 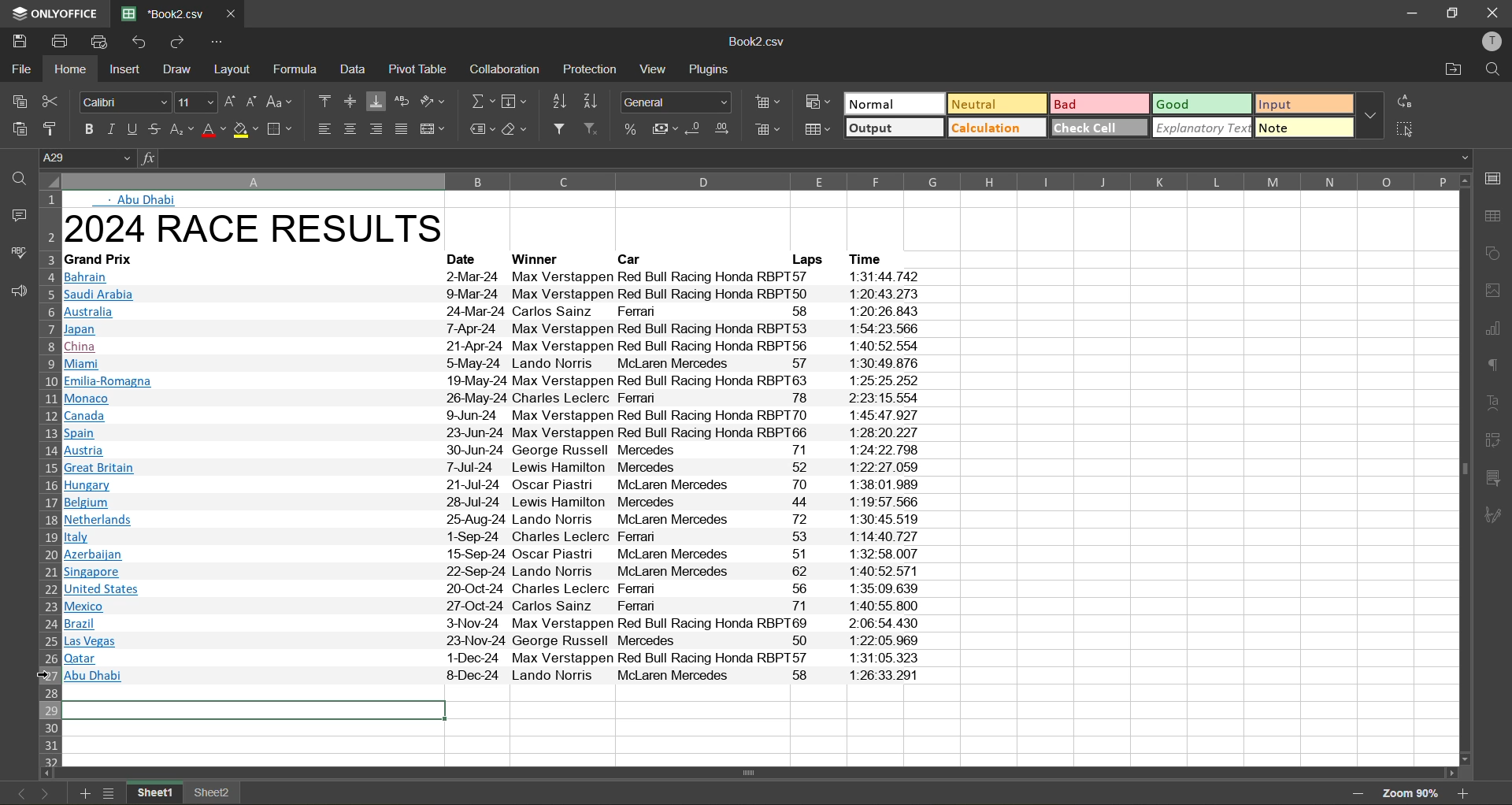 What do you see at coordinates (1493, 43) in the screenshot?
I see `profile` at bounding box center [1493, 43].